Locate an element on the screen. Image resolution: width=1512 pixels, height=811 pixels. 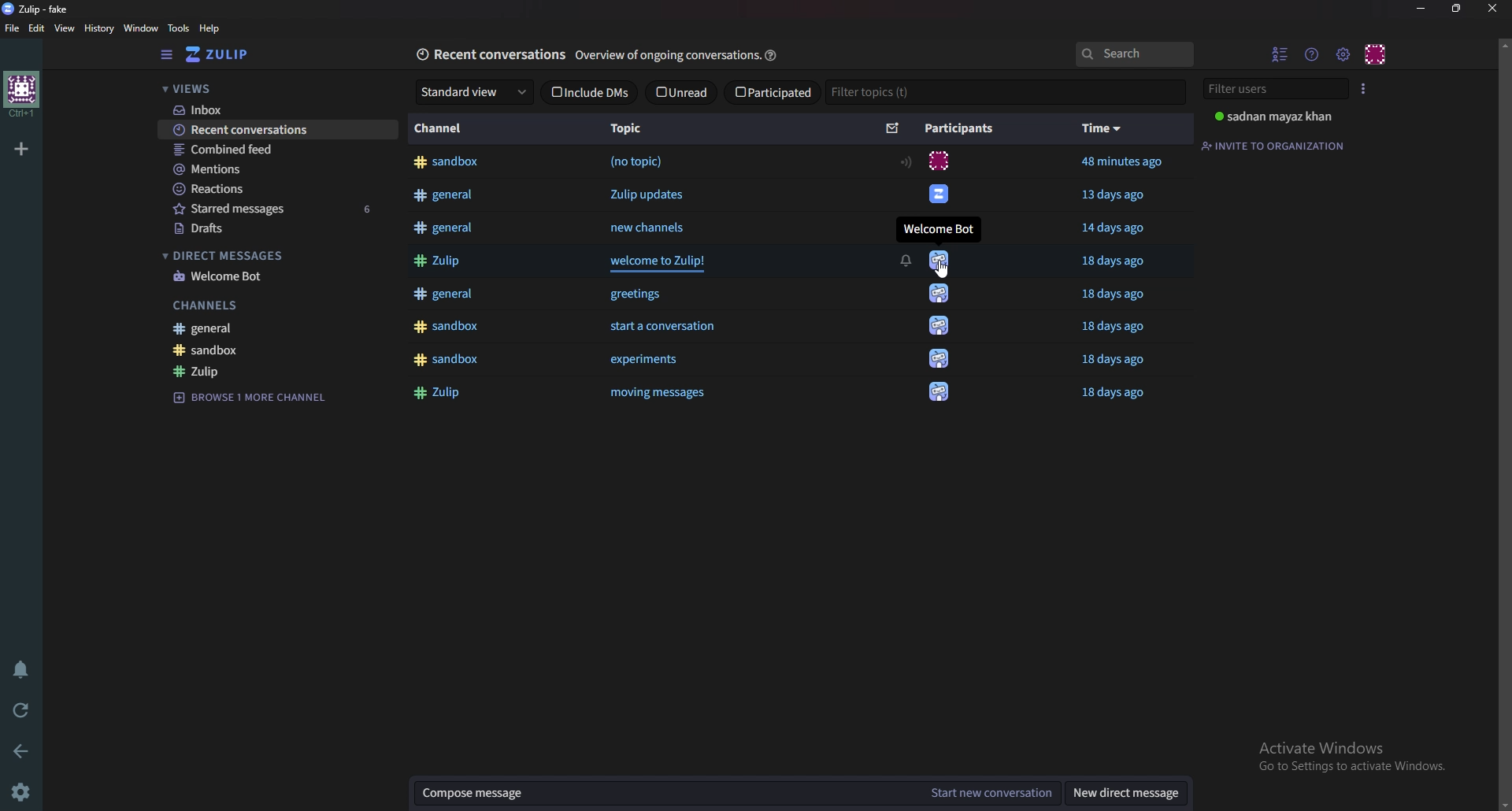
Enable do not disturb is located at coordinates (22, 669).